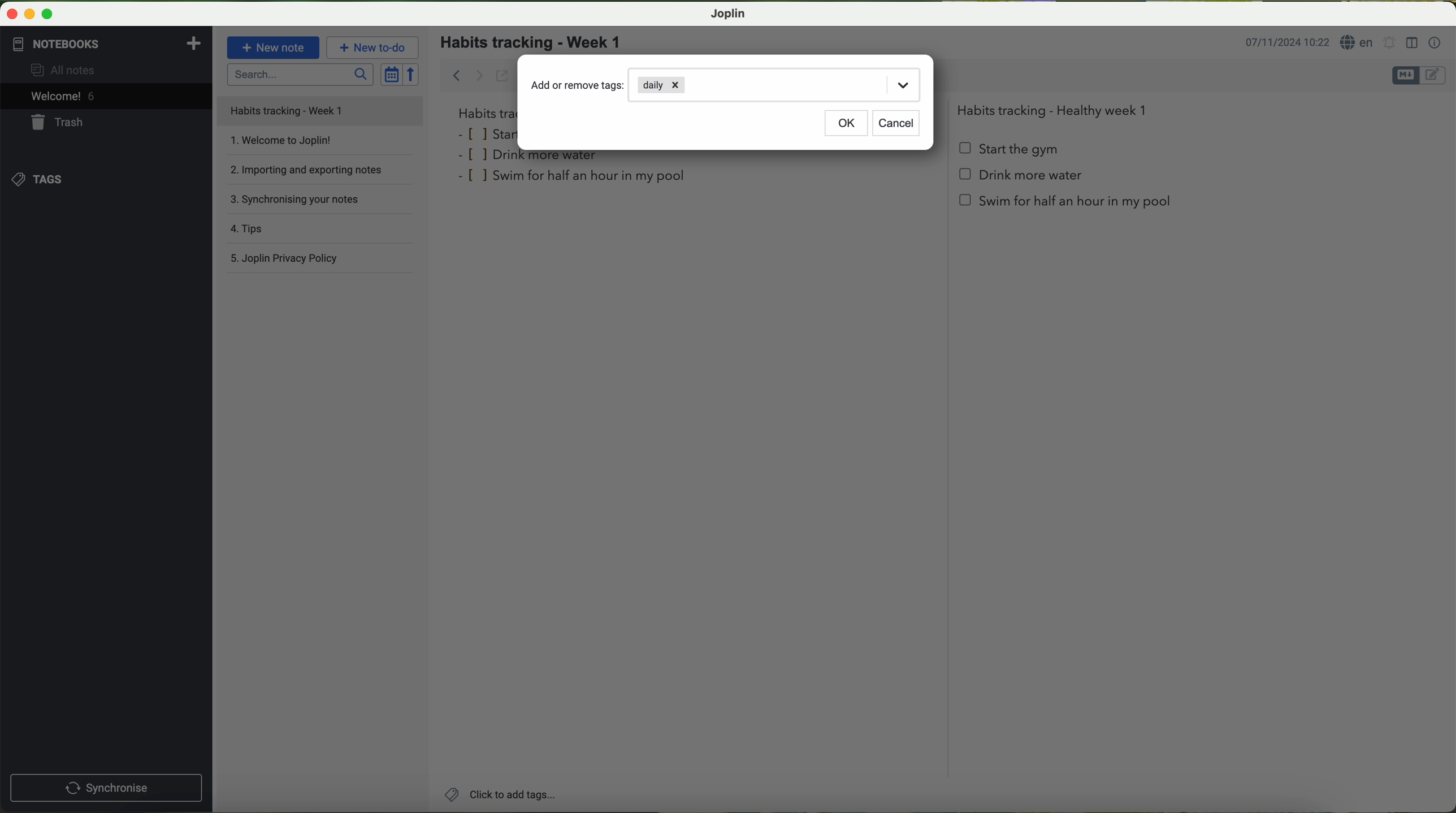  Describe the element at coordinates (63, 96) in the screenshot. I see `welcome 5` at that location.